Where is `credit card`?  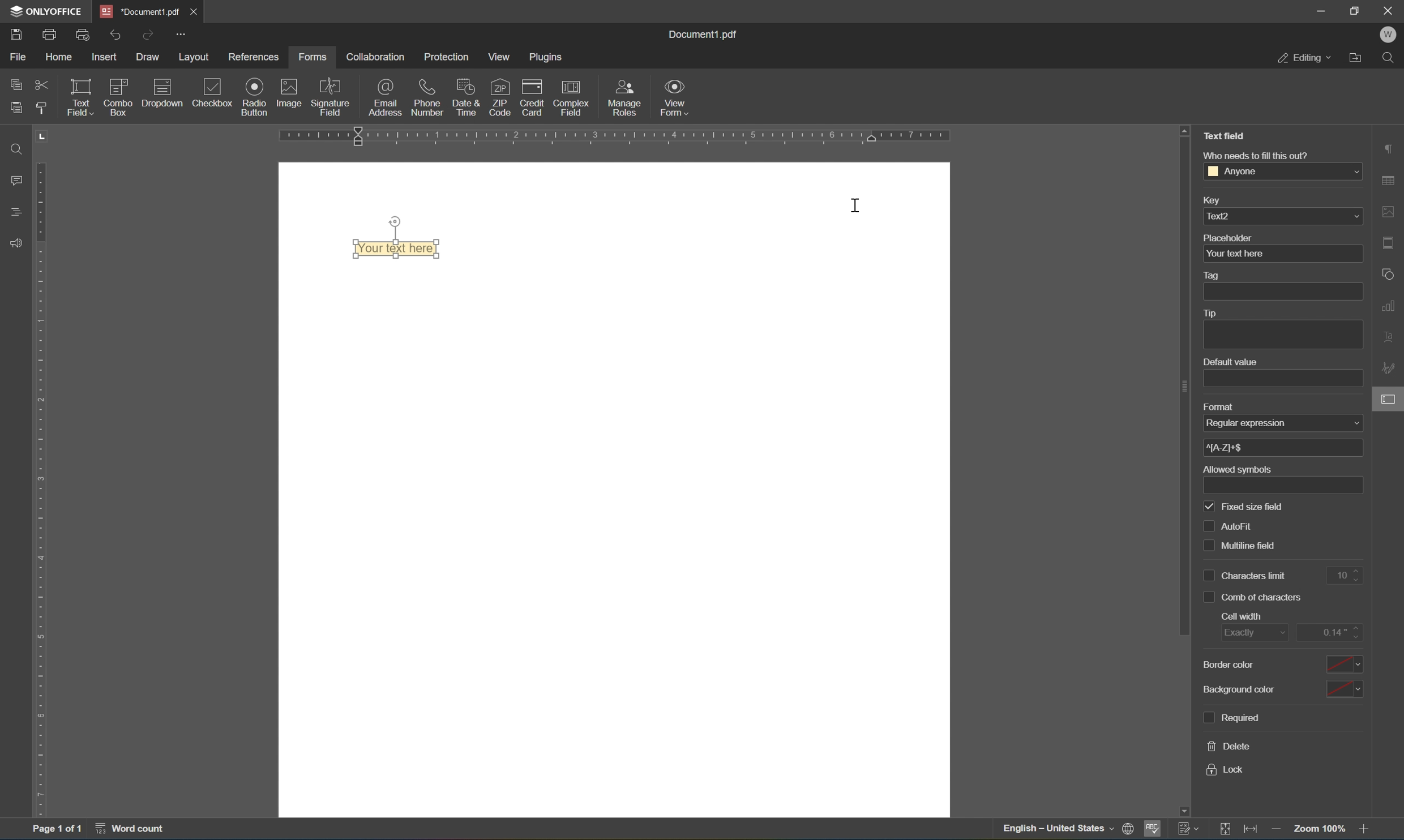
credit card is located at coordinates (533, 96).